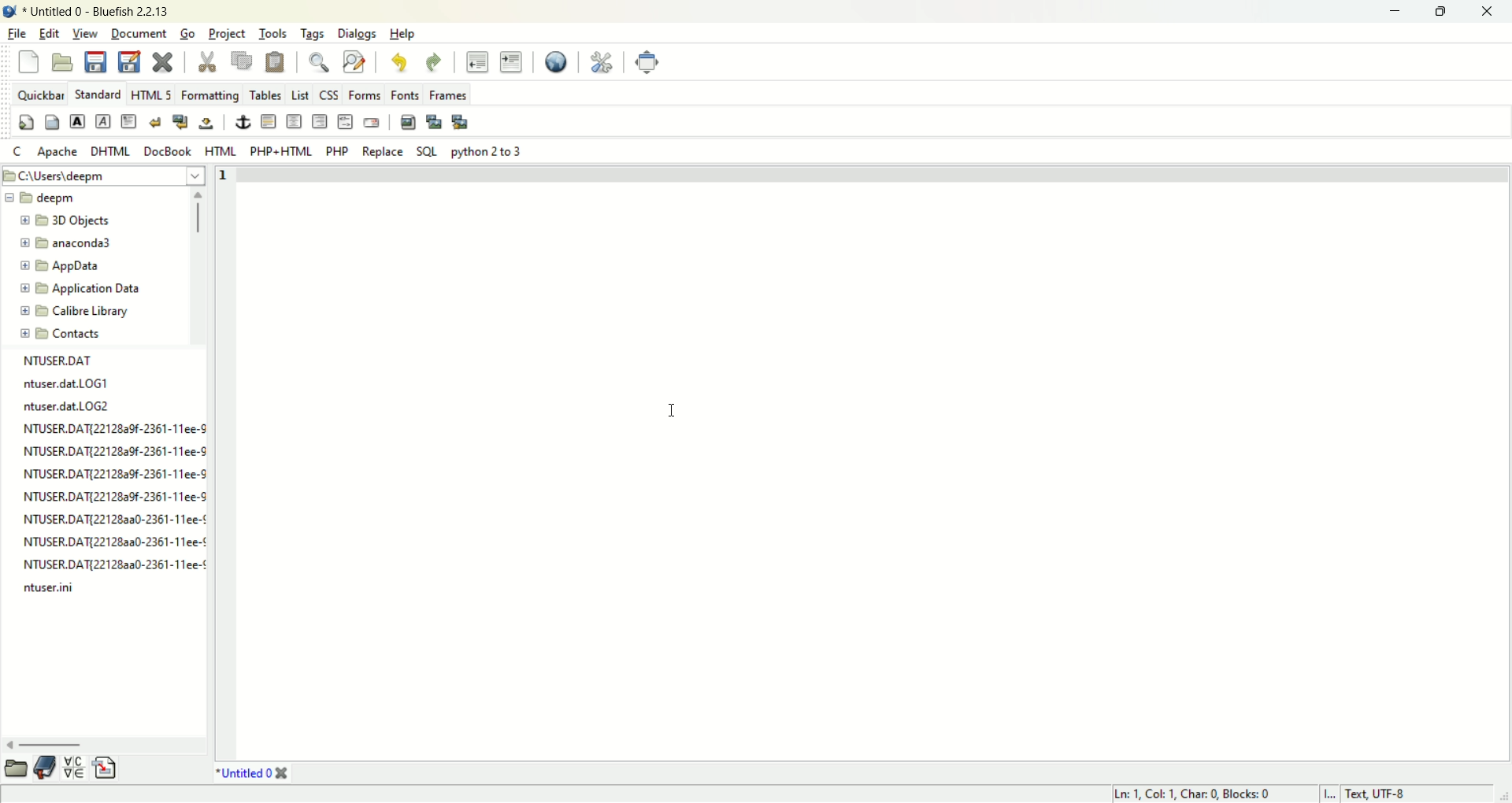  What do you see at coordinates (345, 121) in the screenshot?
I see `html comment` at bounding box center [345, 121].